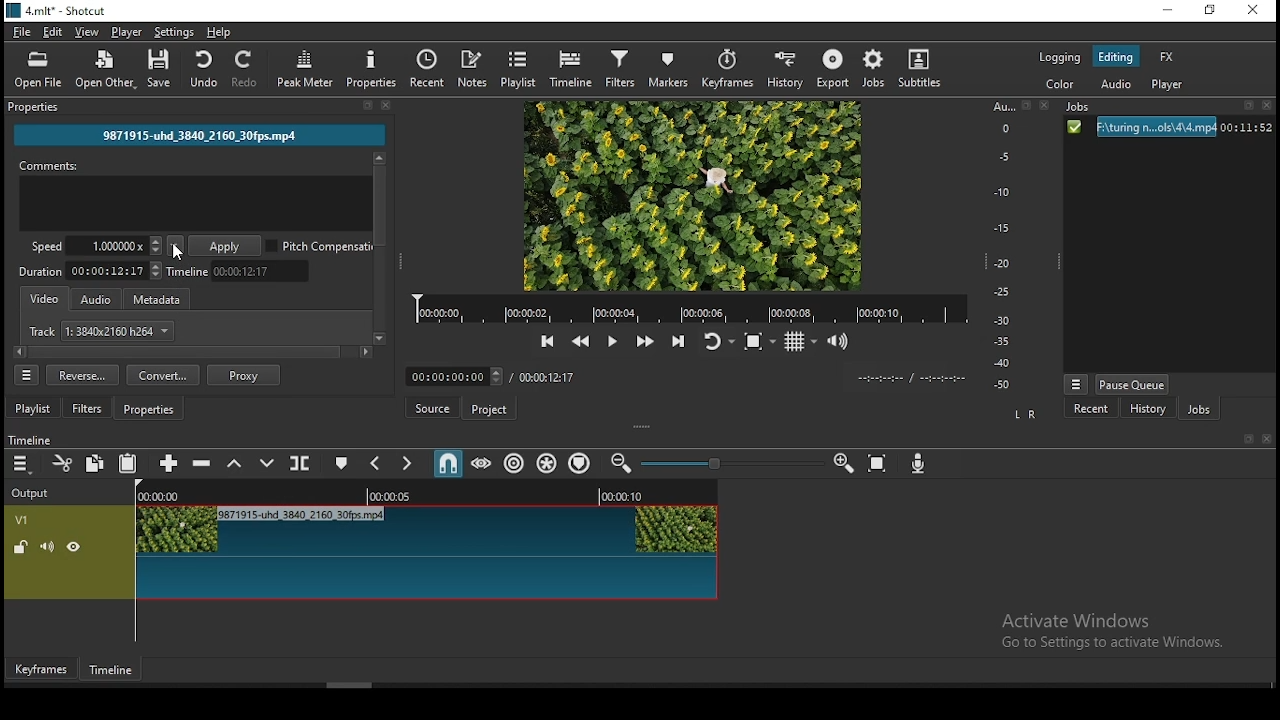 The image size is (1280, 720). I want to click on Player, so click(691, 309).